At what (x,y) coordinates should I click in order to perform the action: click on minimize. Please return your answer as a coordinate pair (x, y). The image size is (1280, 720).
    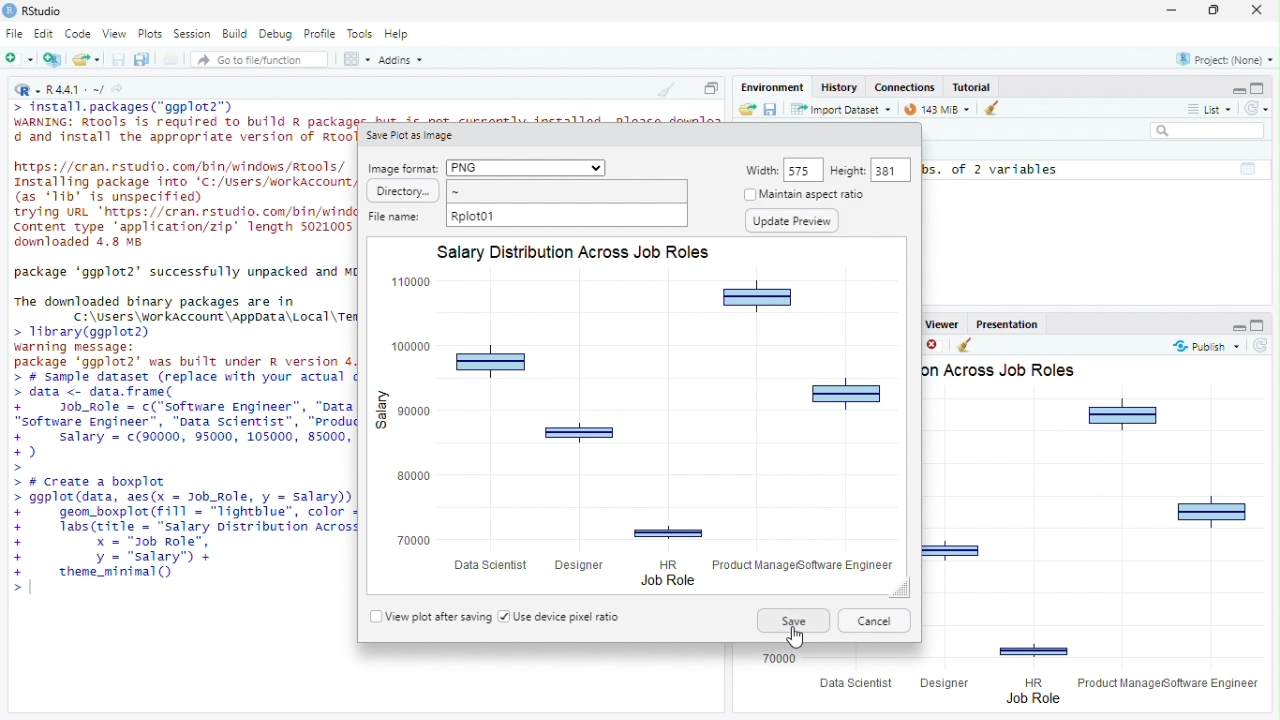
    Looking at the image, I should click on (1233, 326).